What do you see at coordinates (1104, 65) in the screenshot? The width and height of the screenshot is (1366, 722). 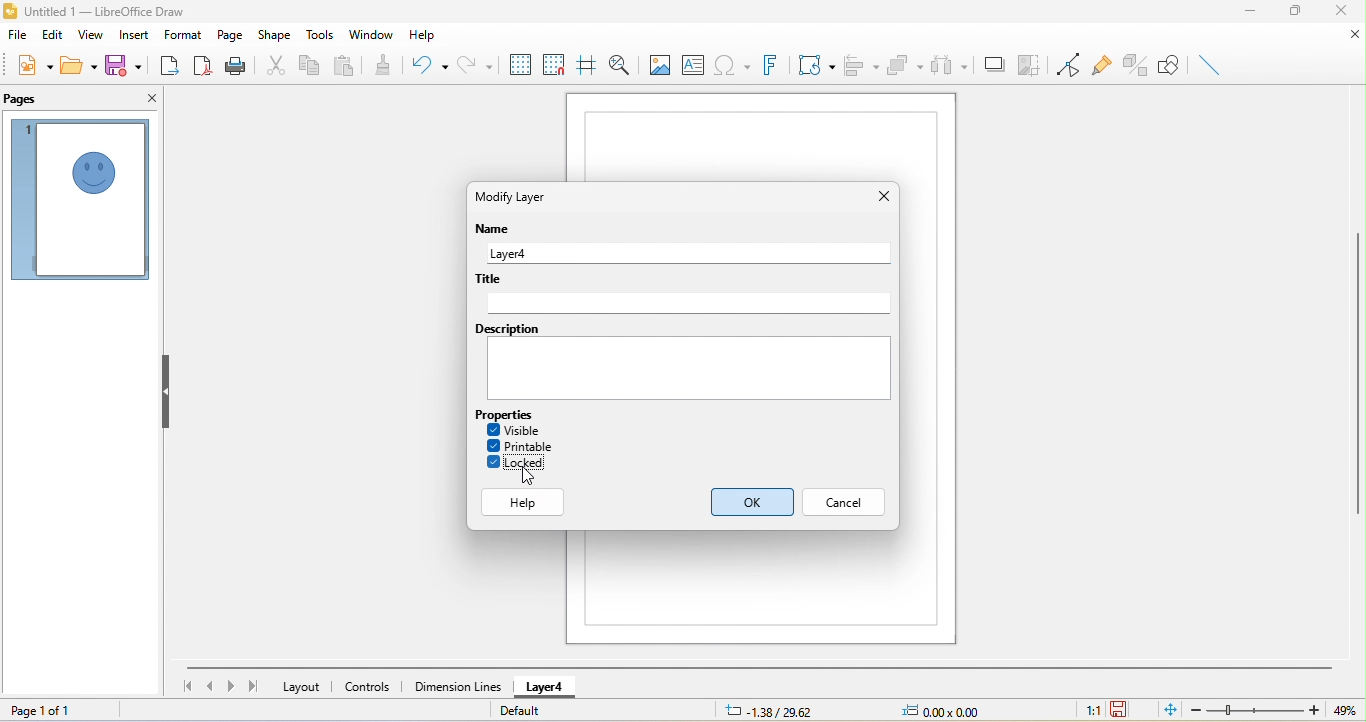 I see `glue point function` at bounding box center [1104, 65].